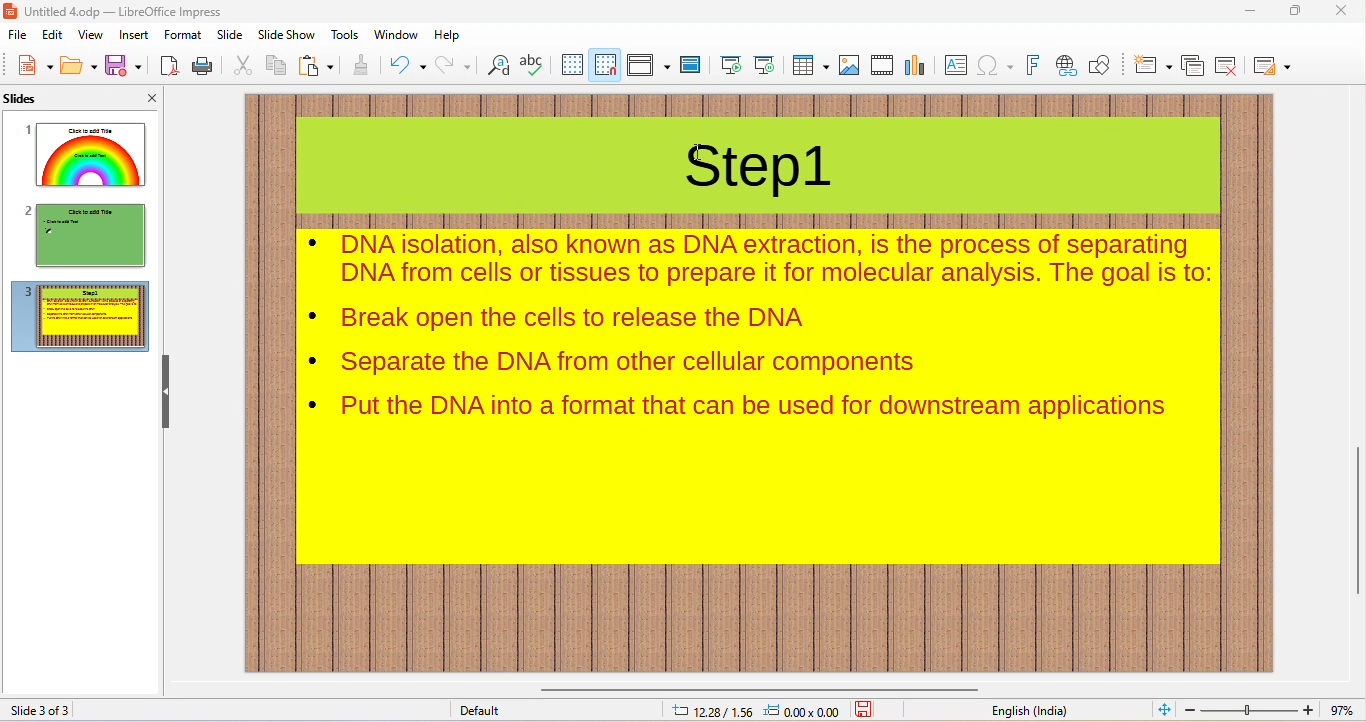 This screenshot has height=722, width=1366. I want to click on view, so click(94, 36).